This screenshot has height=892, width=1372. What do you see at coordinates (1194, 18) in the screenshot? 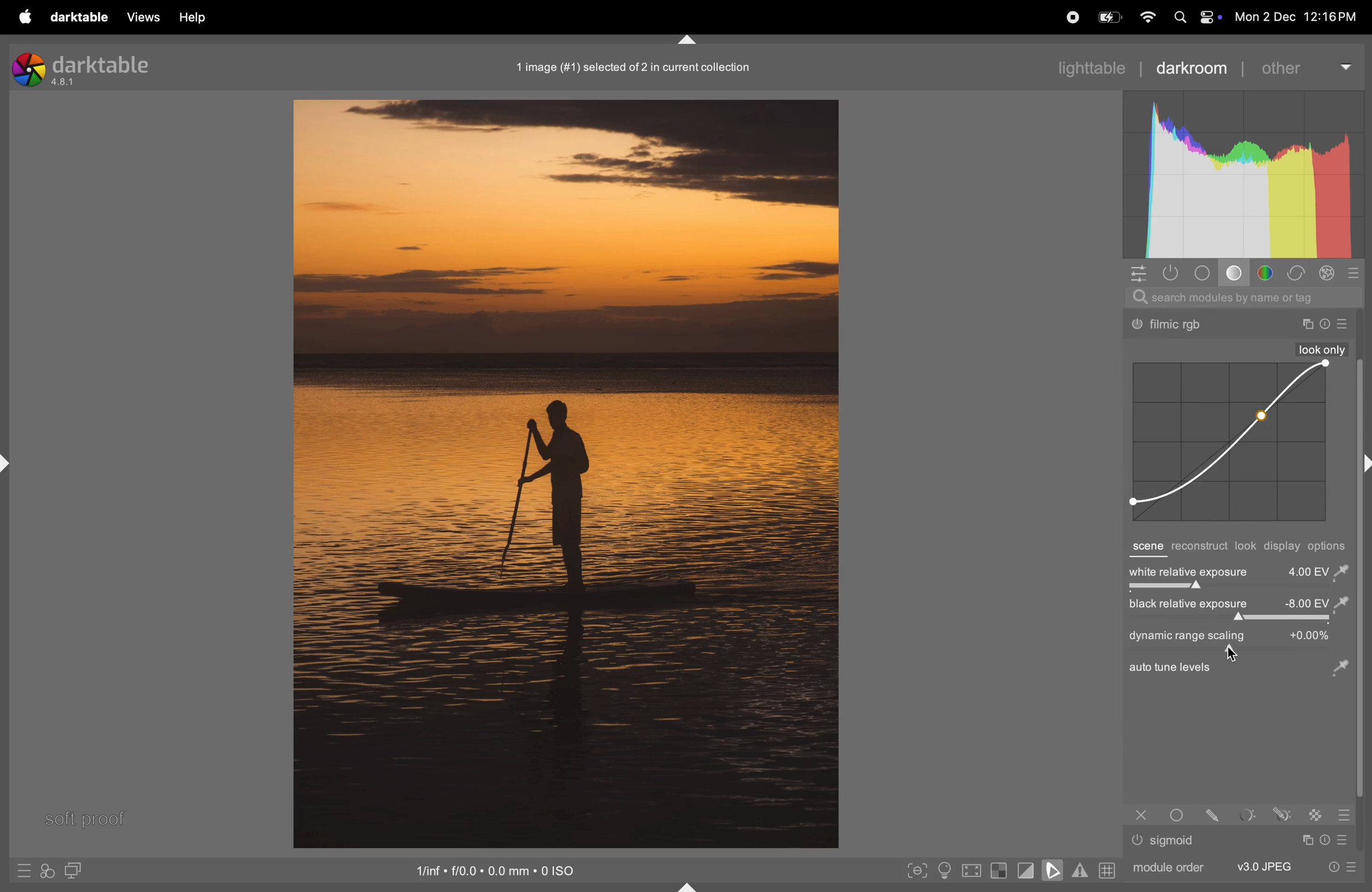
I see `apple widgets` at bounding box center [1194, 18].